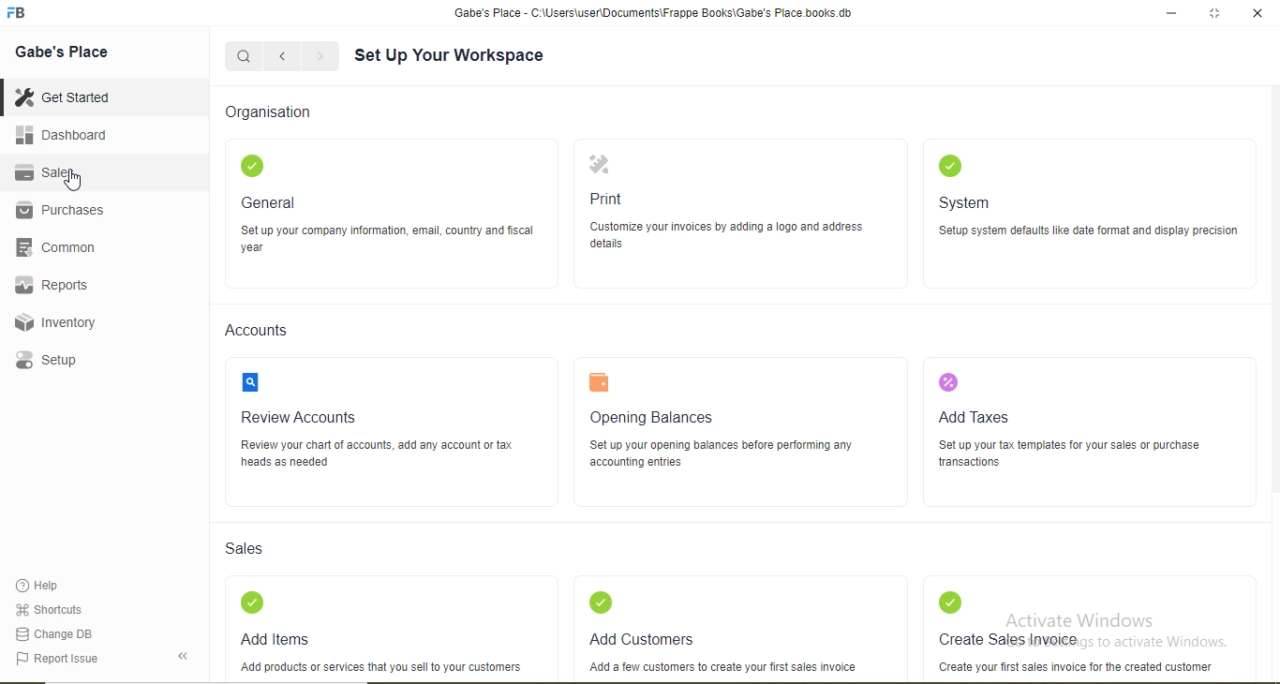 This screenshot has height=684, width=1280. I want to click on maximise, so click(1217, 11).